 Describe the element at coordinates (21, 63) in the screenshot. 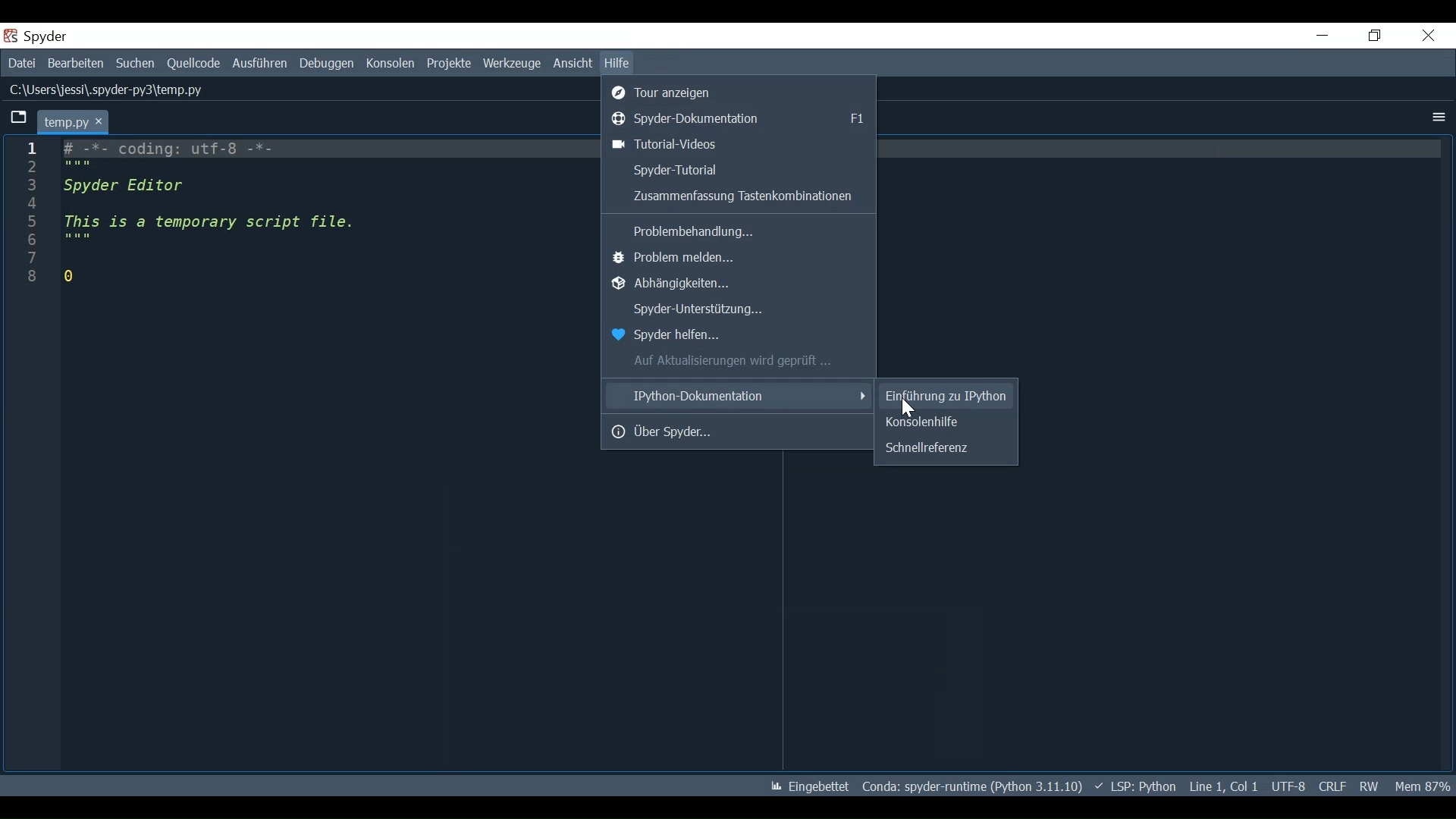

I see `File` at that location.